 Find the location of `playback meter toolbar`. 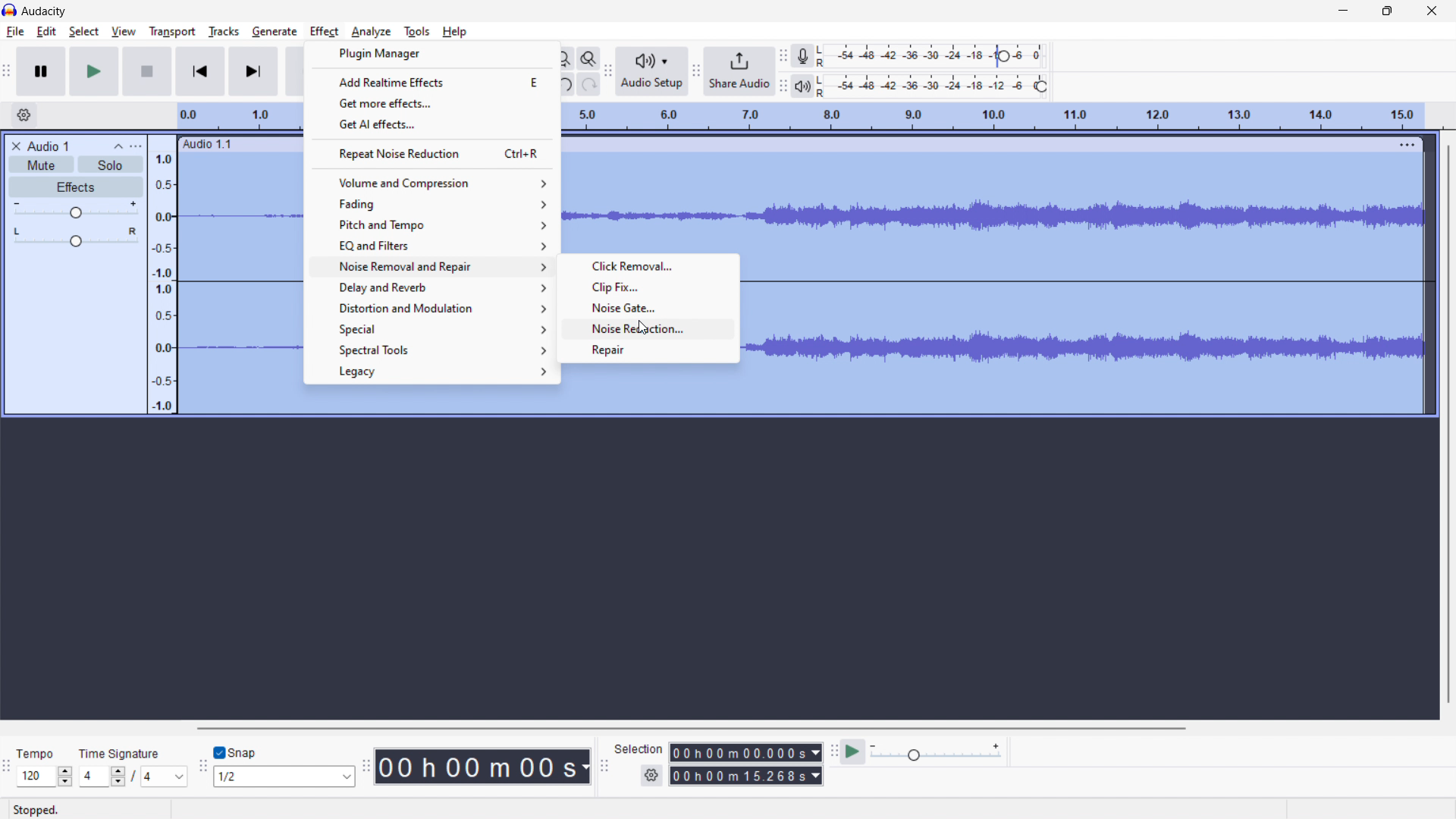

playback meter toolbar is located at coordinates (783, 86).